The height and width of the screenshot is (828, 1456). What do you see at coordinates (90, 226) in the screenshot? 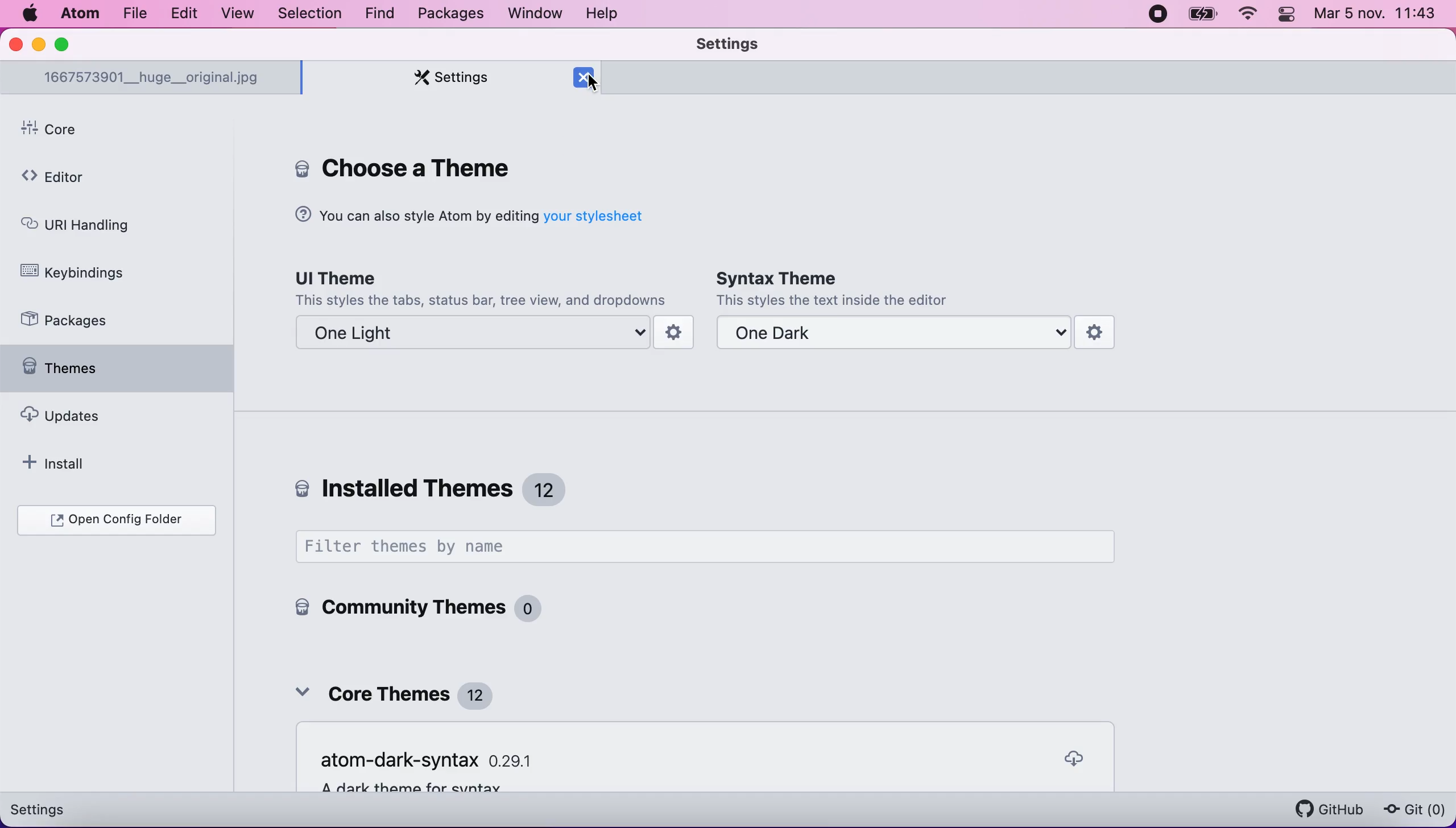
I see `uri handling` at bounding box center [90, 226].